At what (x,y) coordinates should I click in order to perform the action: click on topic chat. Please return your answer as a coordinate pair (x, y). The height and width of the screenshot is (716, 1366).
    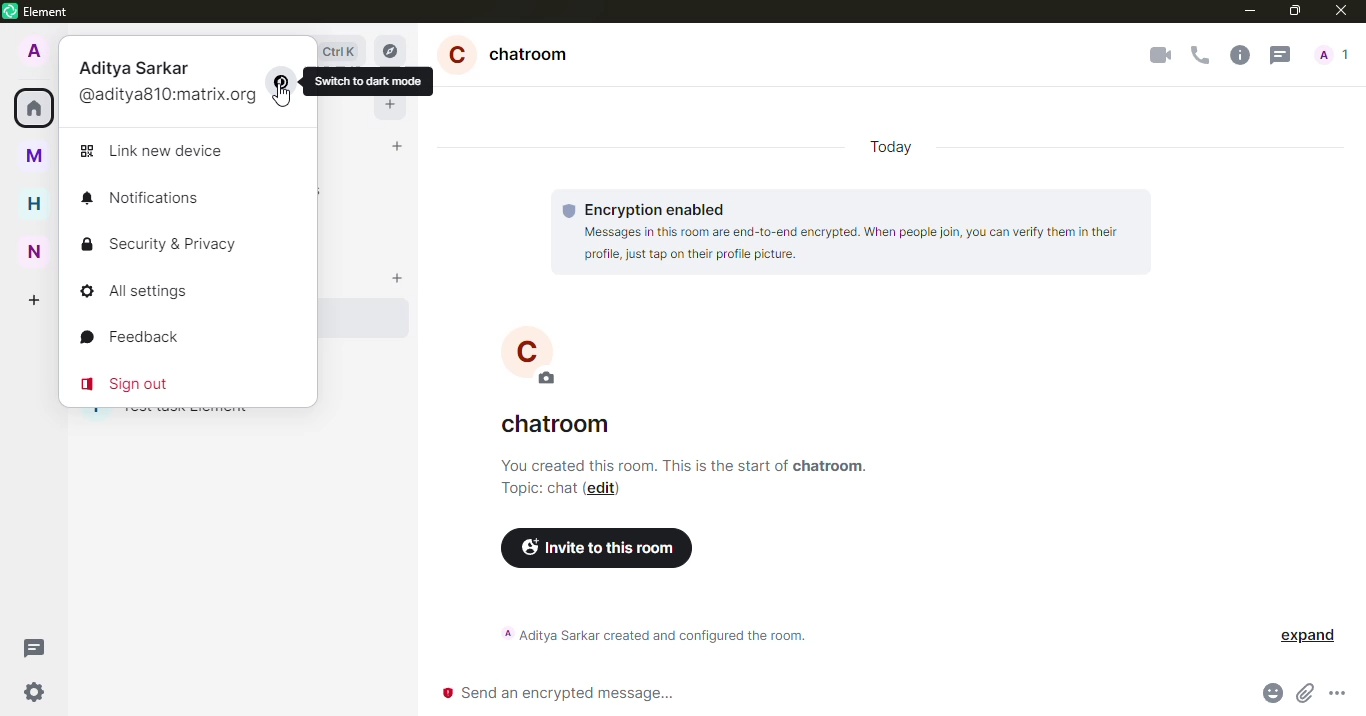
    Looking at the image, I should click on (536, 488).